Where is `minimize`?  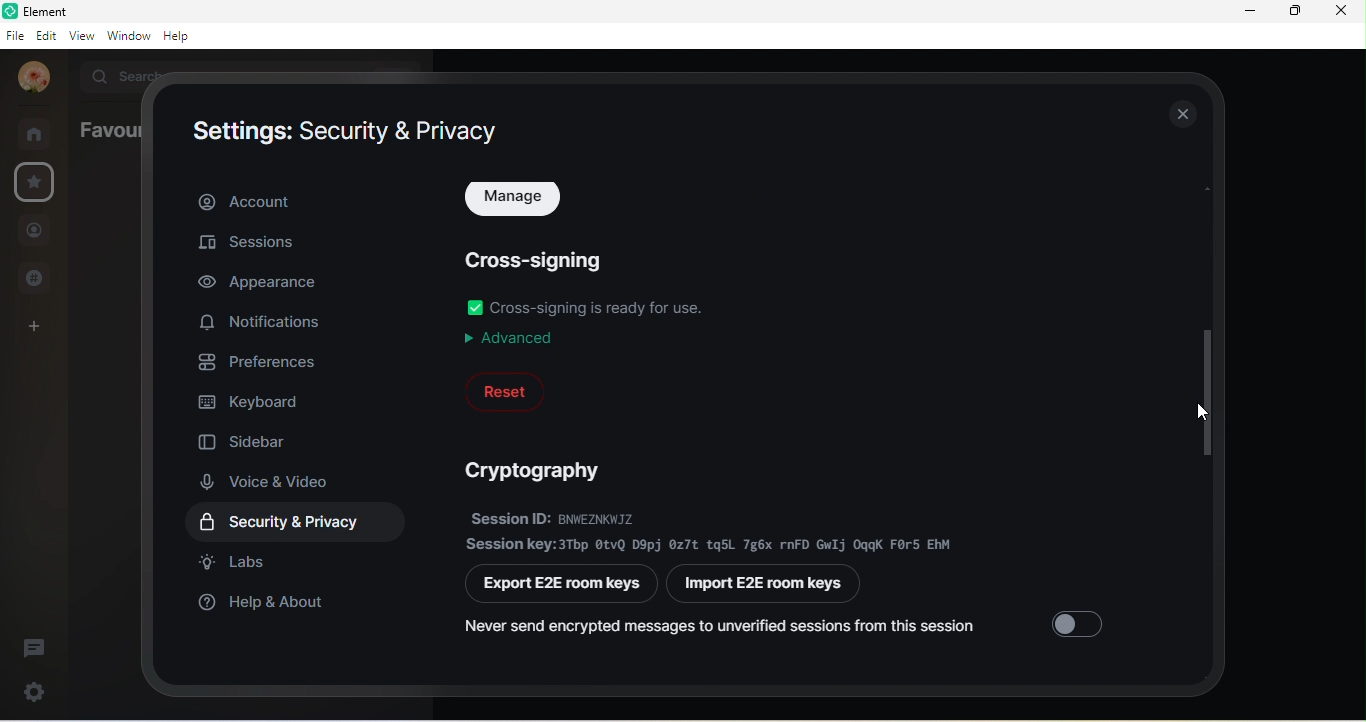 minimize is located at coordinates (1252, 11).